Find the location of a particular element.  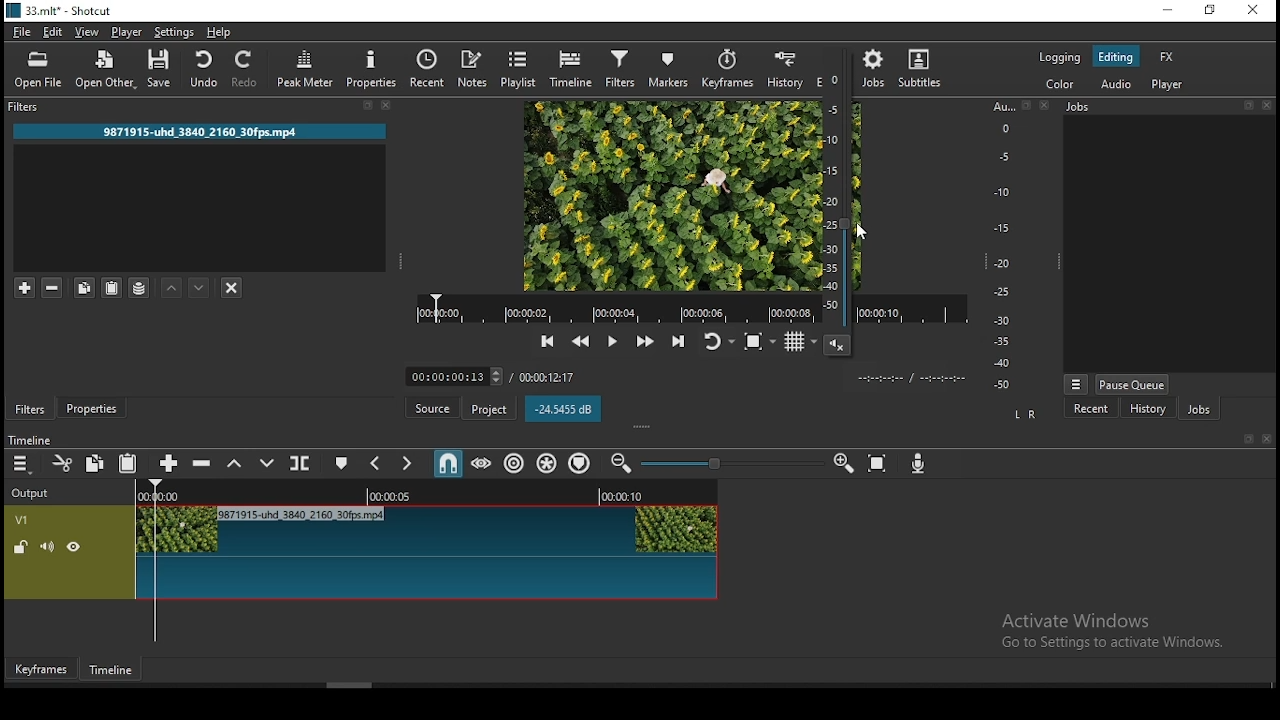

toggle zoom is located at coordinates (758, 344).